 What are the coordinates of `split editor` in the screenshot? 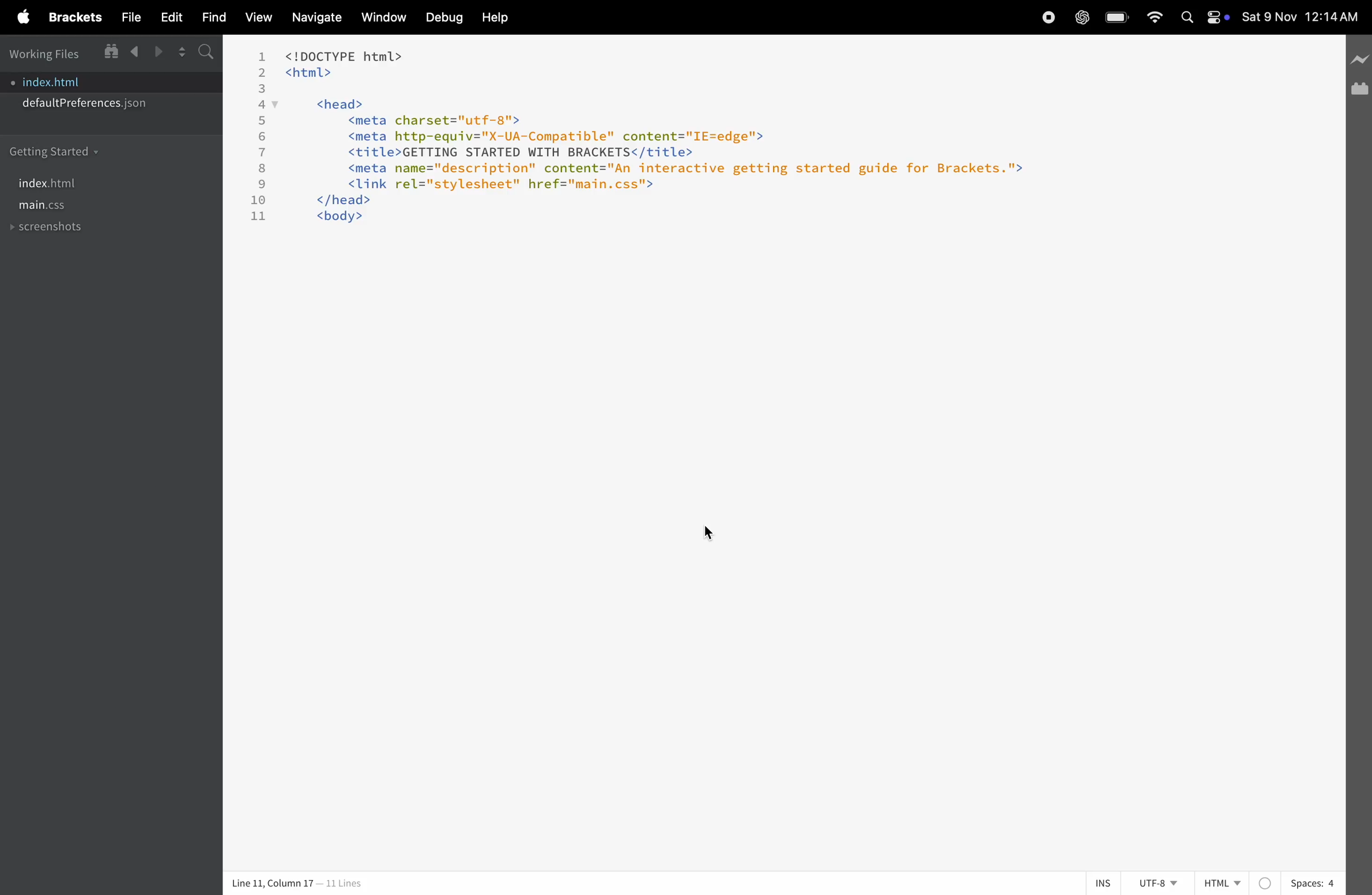 It's located at (184, 53).